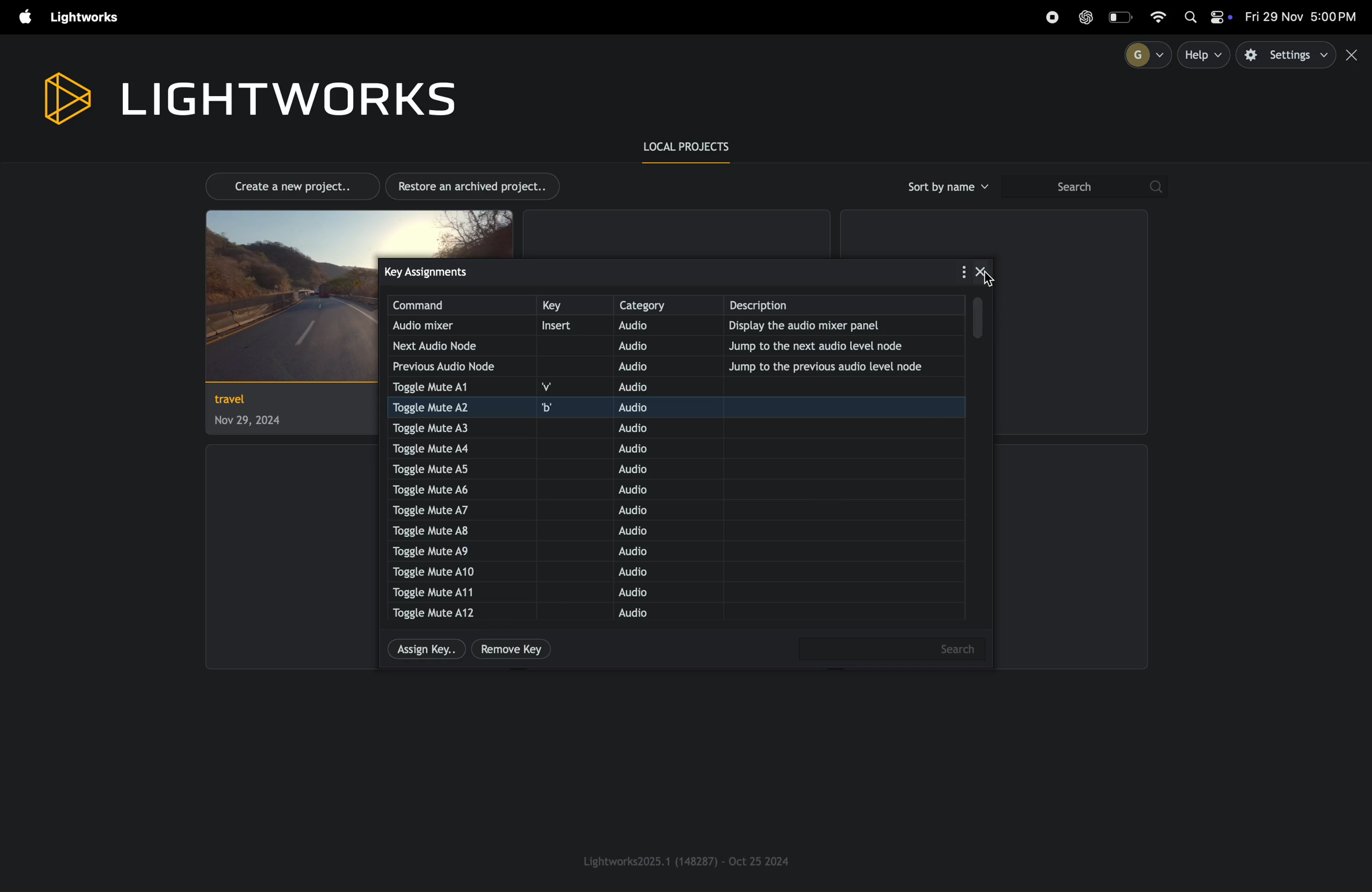 The image size is (1372, 892). Describe the element at coordinates (435, 572) in the screenshot. I see `toggle mute A10` at that location.